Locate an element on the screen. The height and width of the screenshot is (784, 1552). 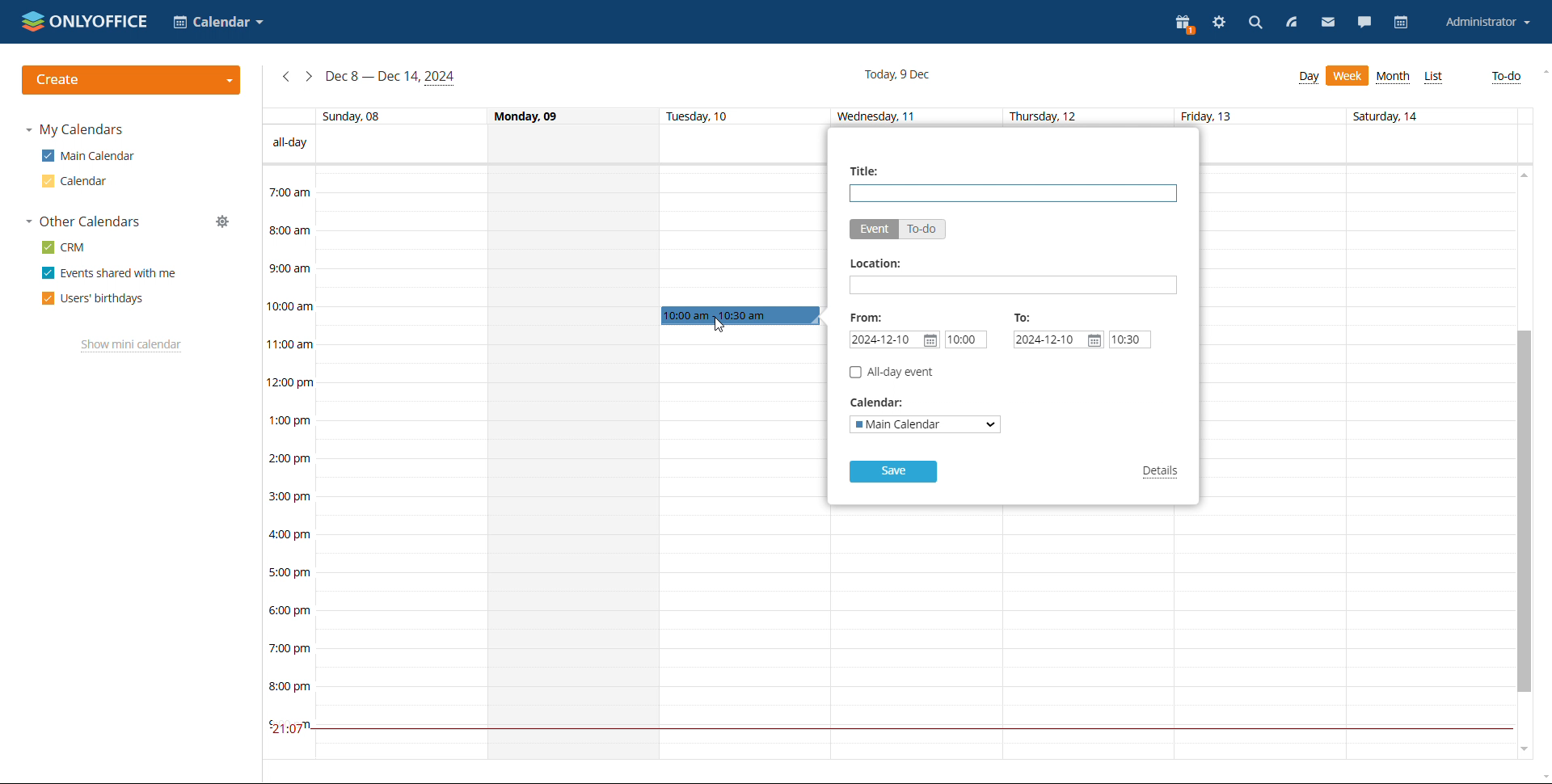
create is located at coordinates (133, 80).